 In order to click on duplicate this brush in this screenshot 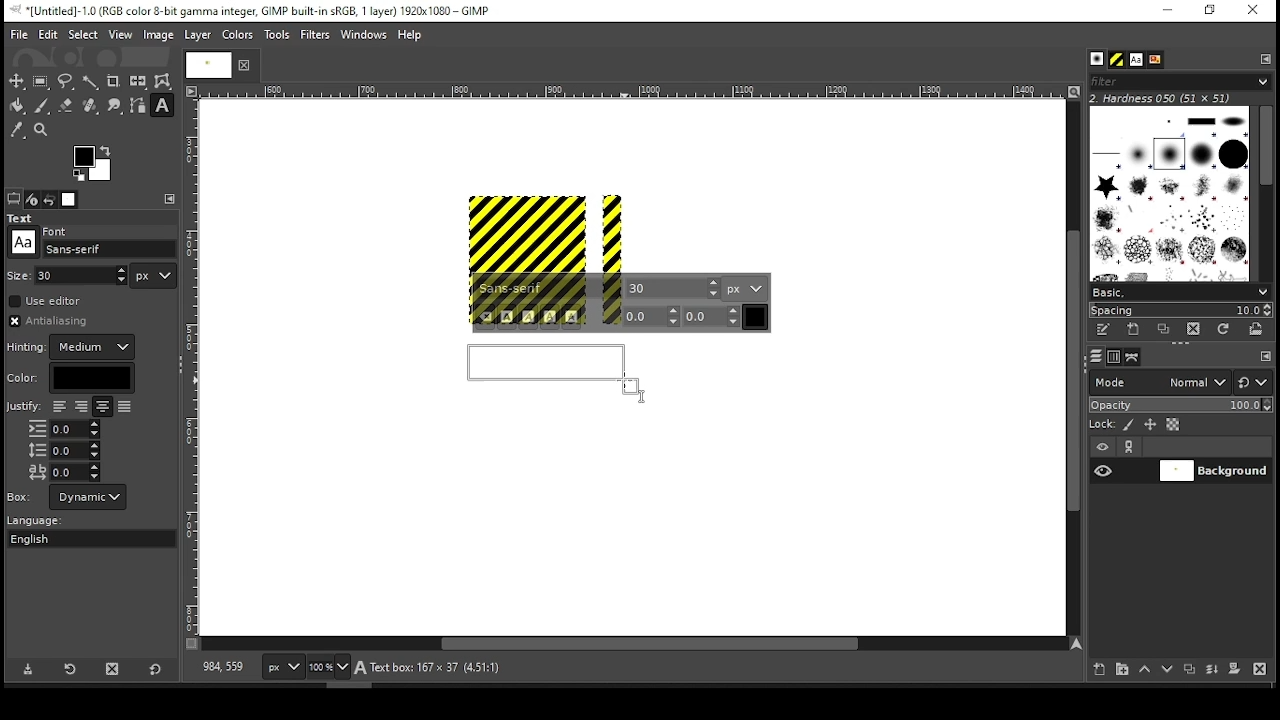, I will do `click(1169, 329)`.